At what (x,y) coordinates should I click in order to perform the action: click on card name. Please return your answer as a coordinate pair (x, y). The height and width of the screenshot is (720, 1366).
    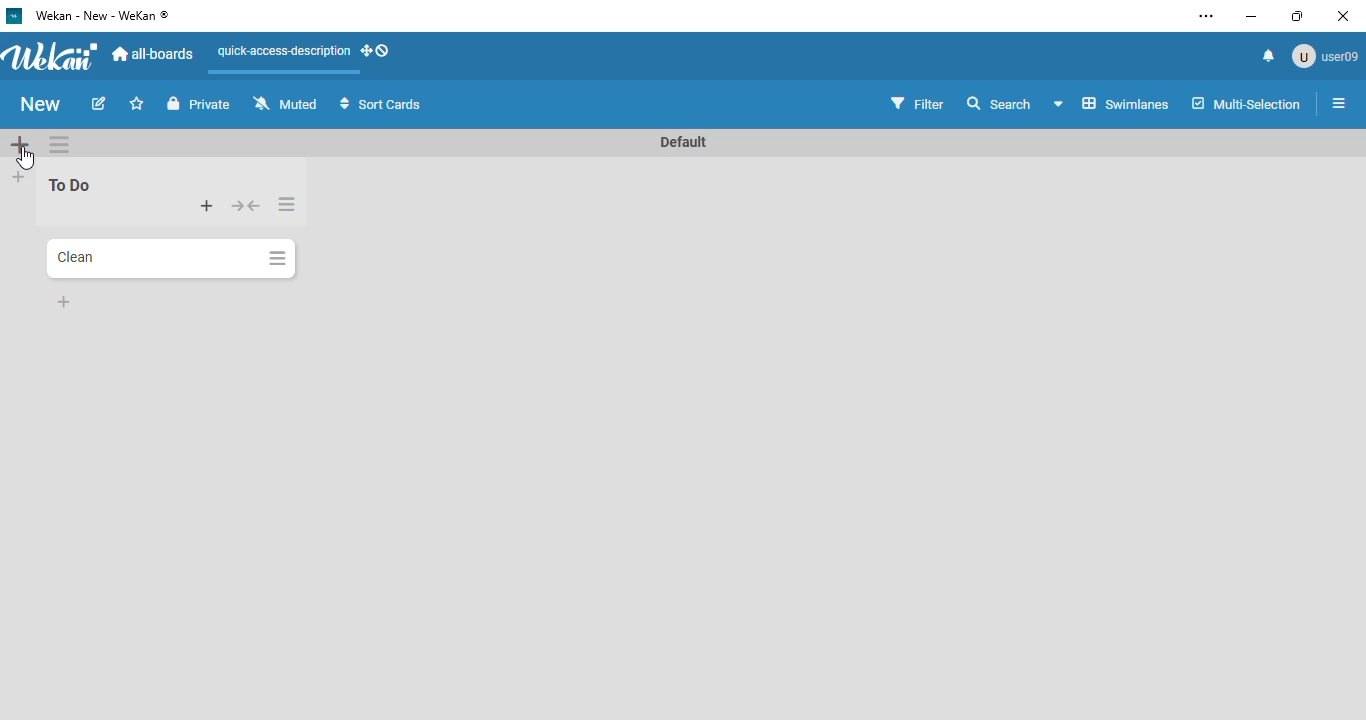
    Looking at the image, I should click on (79, 258).